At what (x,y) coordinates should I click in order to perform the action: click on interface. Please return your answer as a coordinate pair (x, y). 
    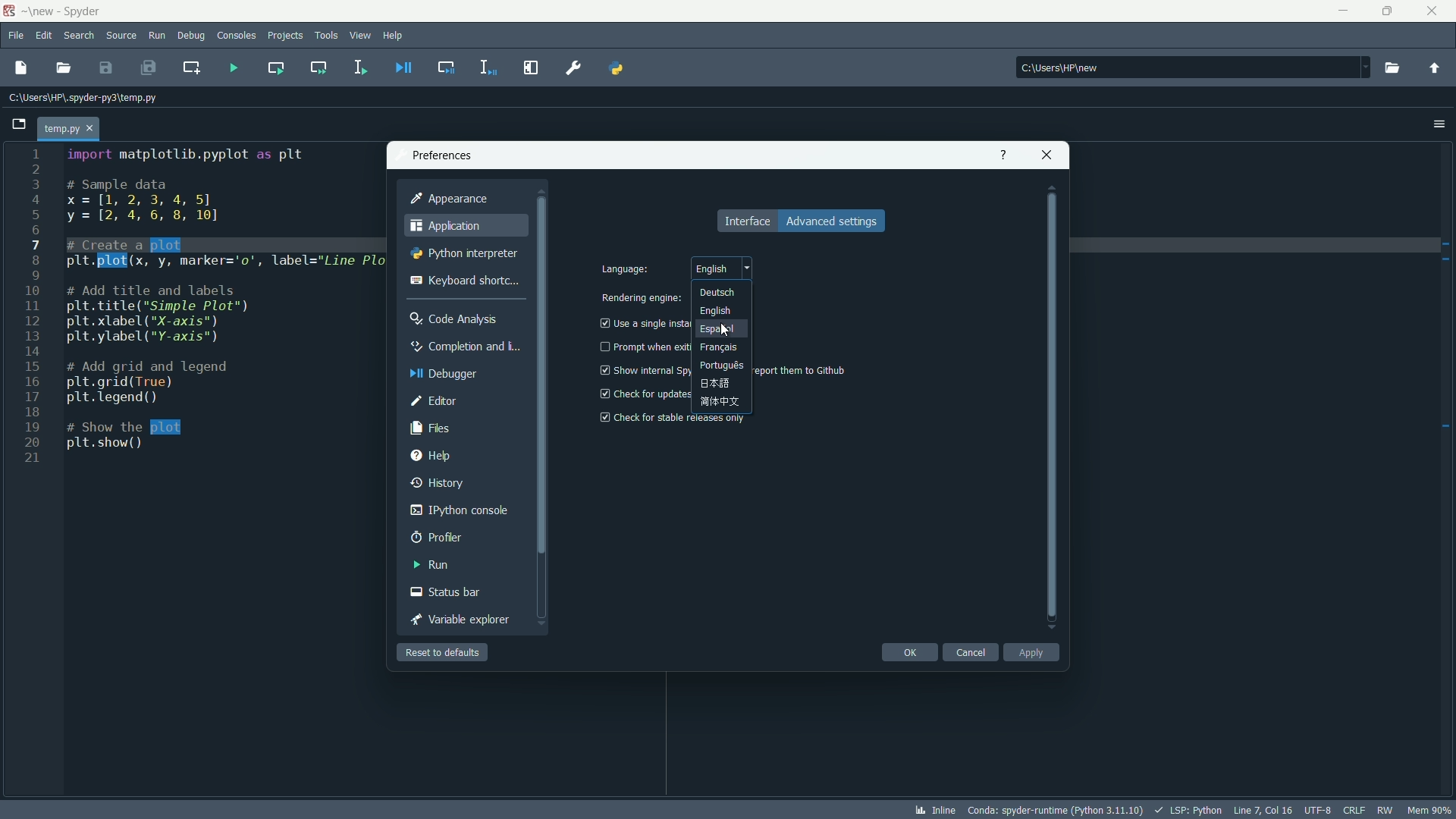
    Looking at the image, I should click on (745, 221).